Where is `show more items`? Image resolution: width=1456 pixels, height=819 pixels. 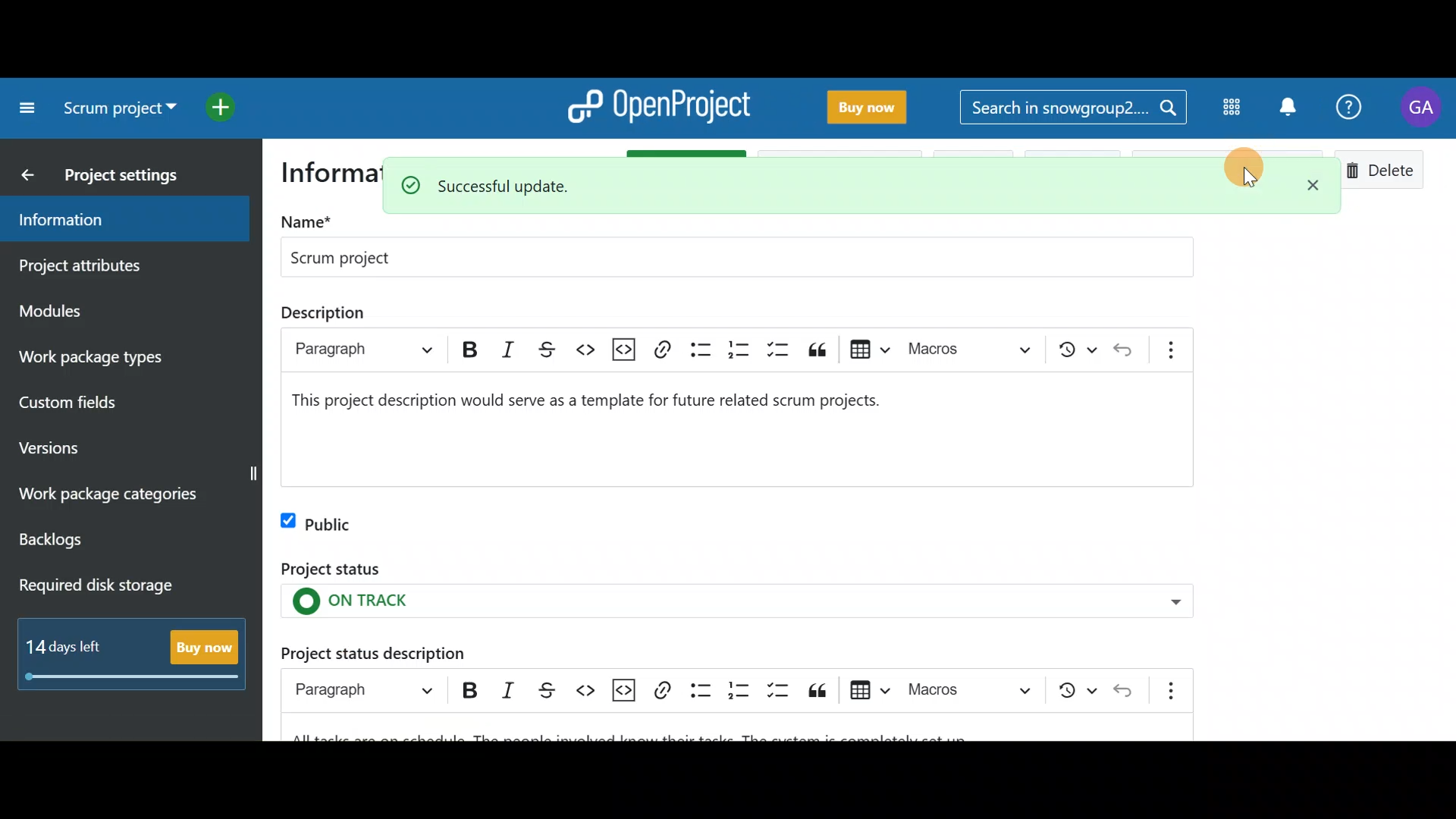
show more items is located at coordinates (1172, 350).